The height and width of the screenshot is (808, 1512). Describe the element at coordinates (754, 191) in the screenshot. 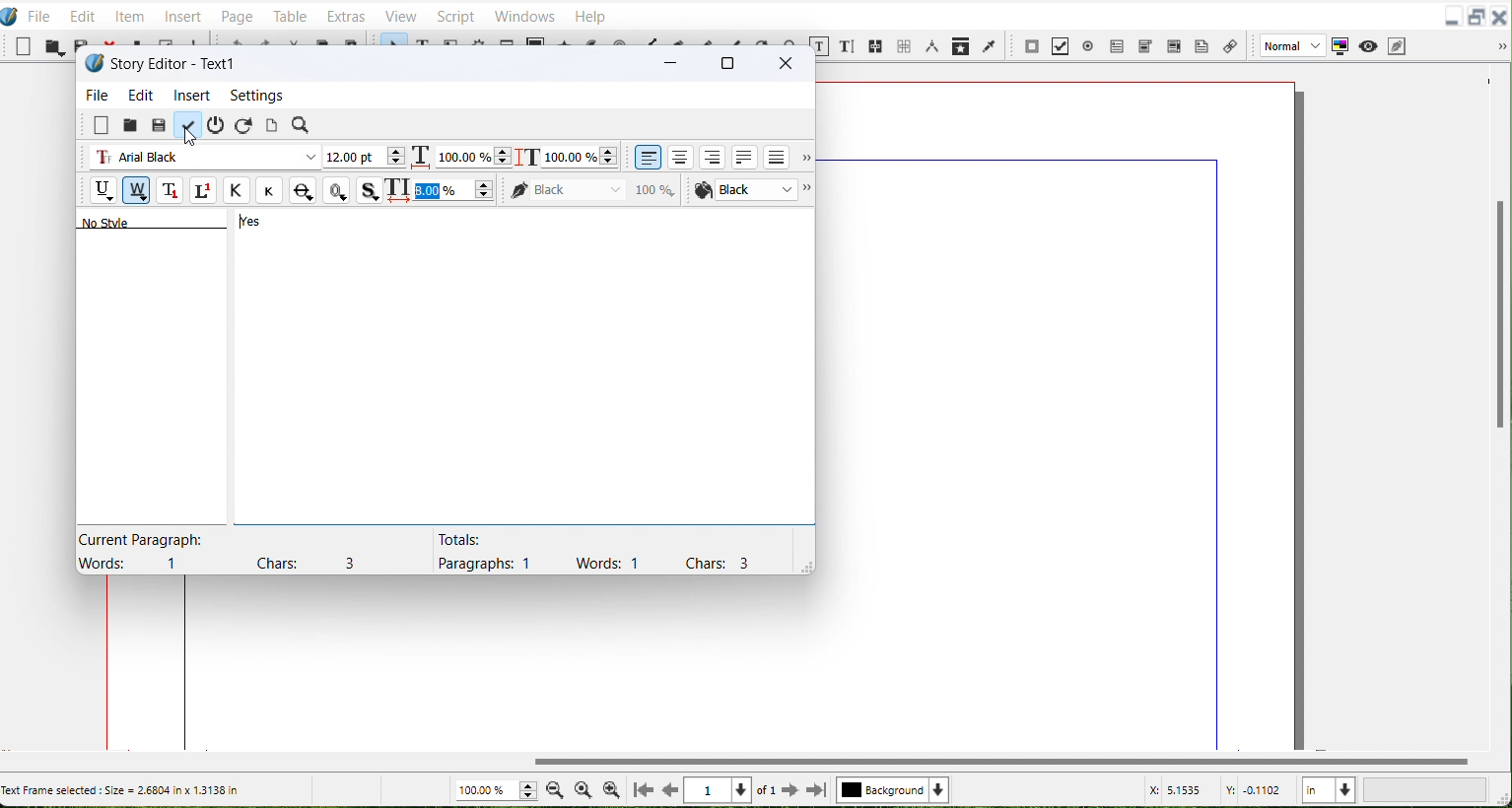

I see `Font color` at that location.